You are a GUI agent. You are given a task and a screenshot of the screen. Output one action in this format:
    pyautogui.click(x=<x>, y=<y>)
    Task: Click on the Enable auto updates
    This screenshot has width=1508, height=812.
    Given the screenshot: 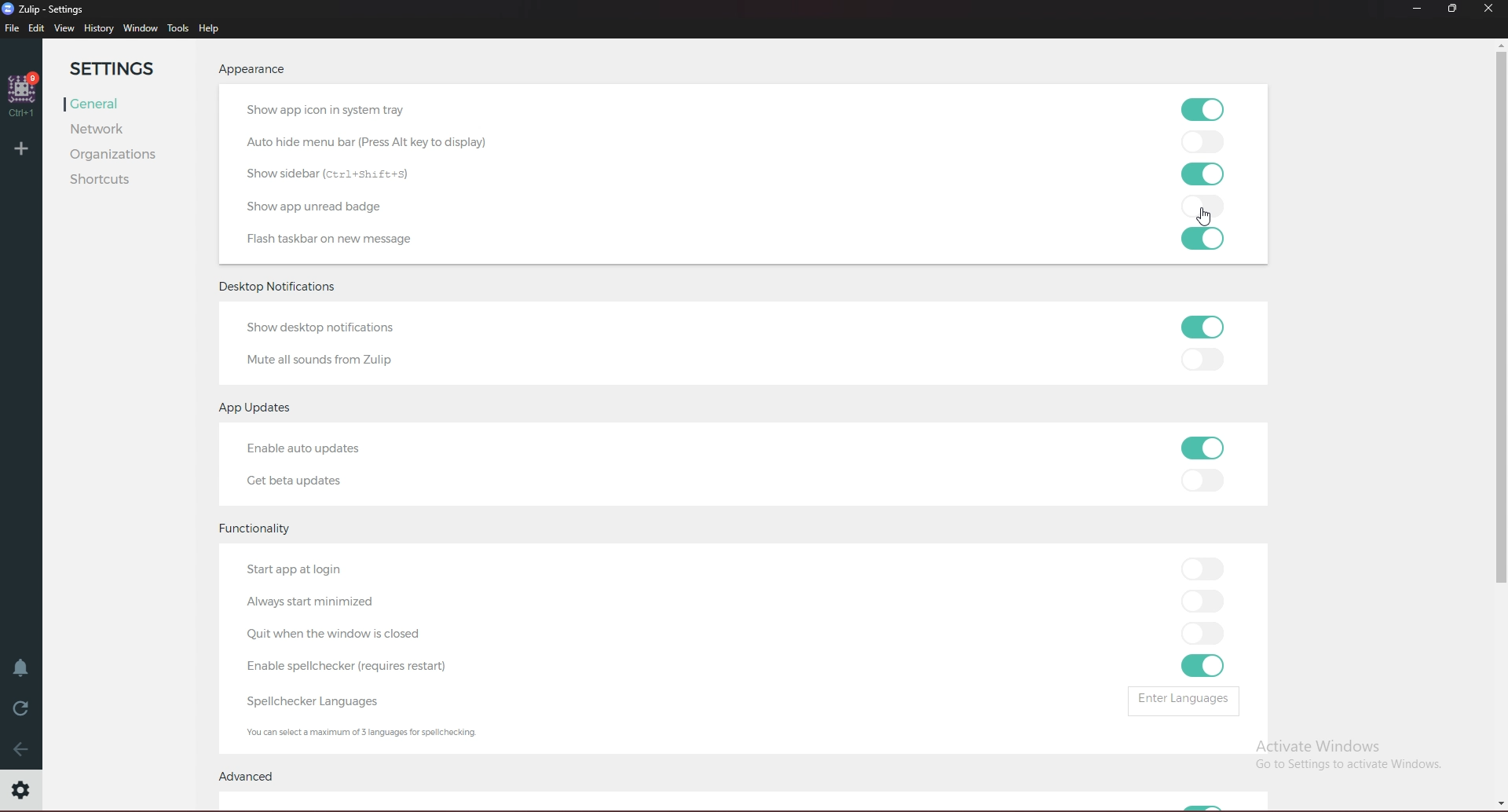 What is the action you would take?
    pyautogui.click(x=311, y=449)
    